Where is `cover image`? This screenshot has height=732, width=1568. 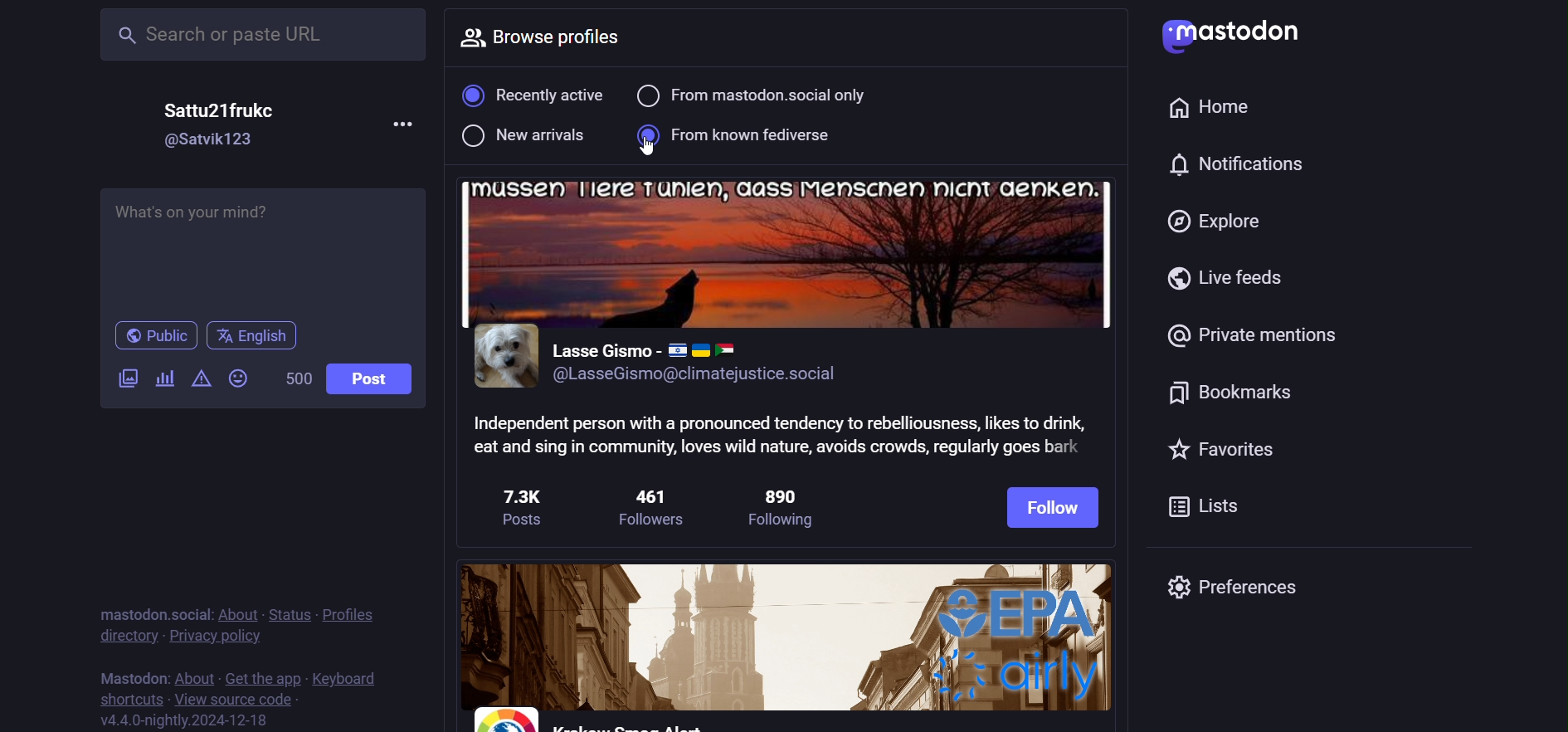 cover image is located at coordinates (782, 247).